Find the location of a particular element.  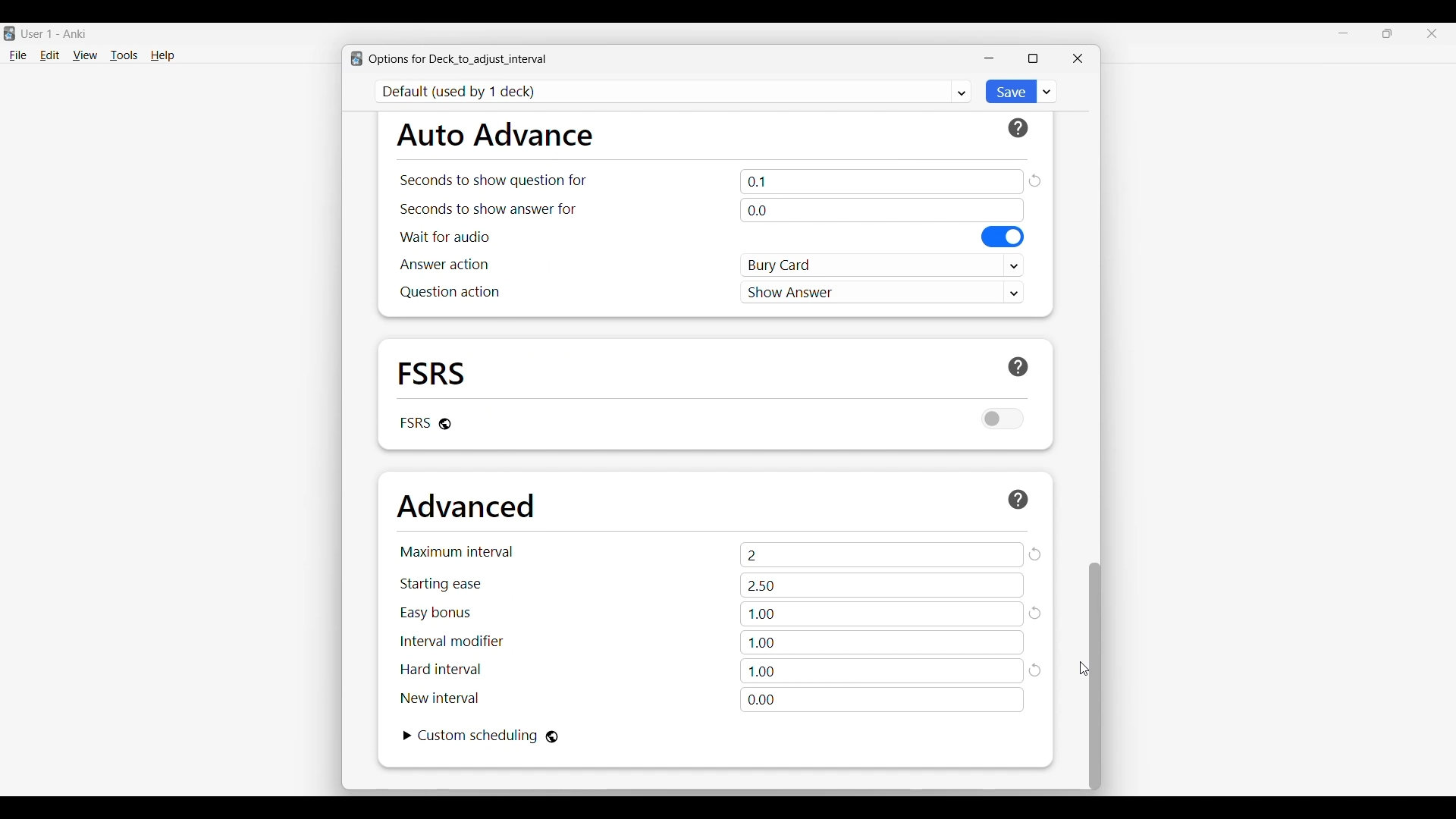

0.00 is located at coordinates (882, 700).